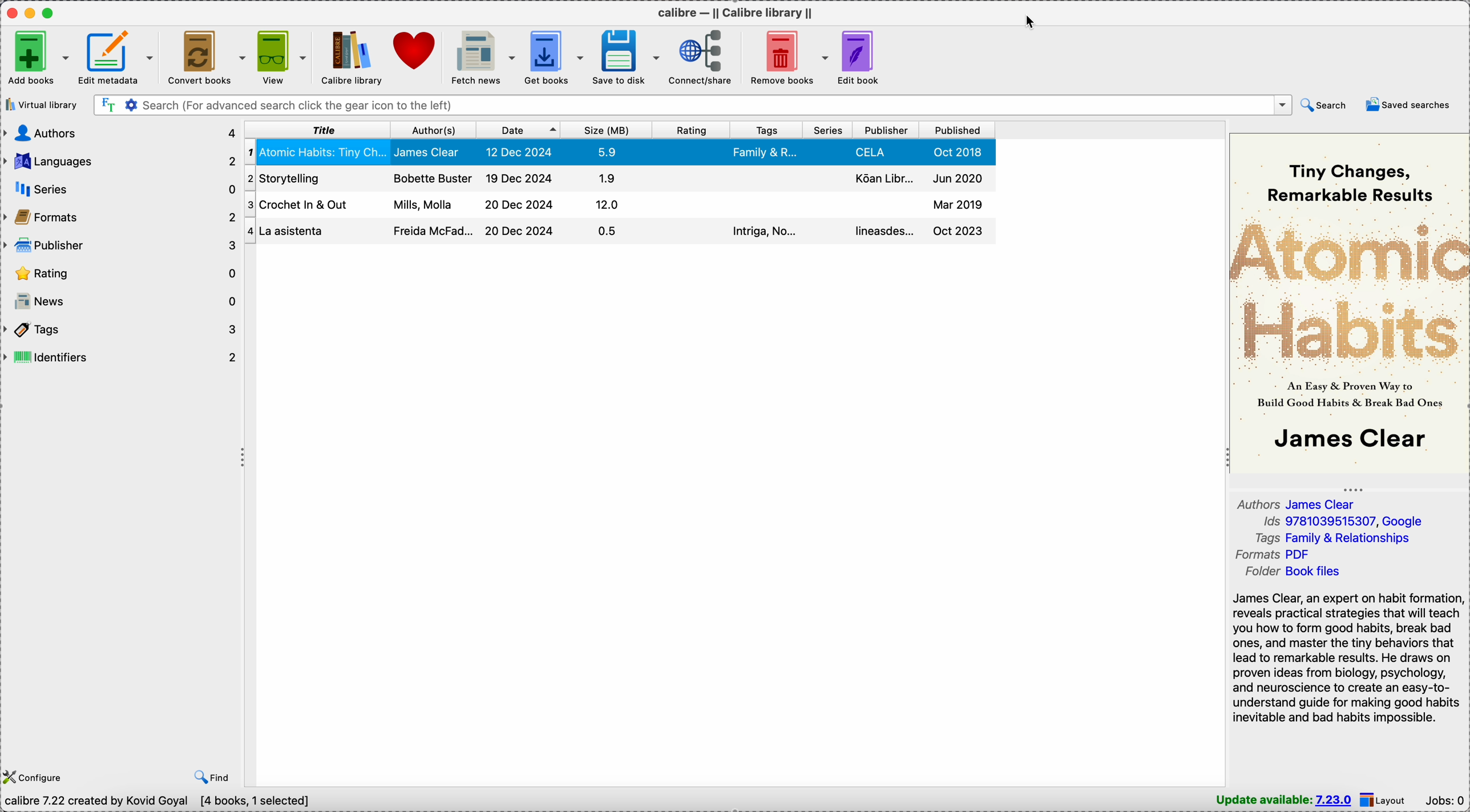  I want to click on maximize program, so click(50, 13).